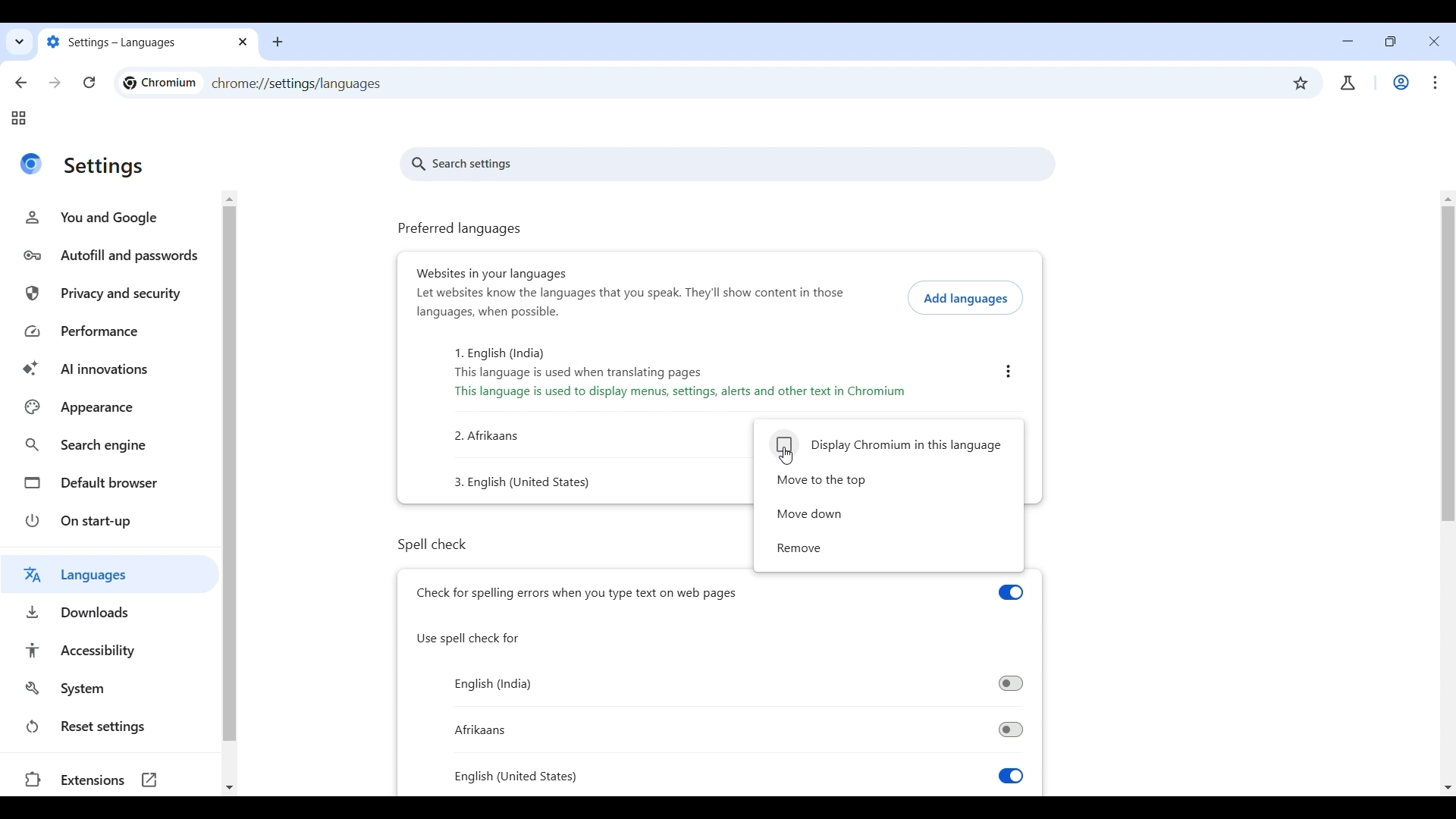 The height and width of the screenshot is (819, 1456). Describe the element at coordinates (488, 437) in the screenshot. I see `numbered list: text` at that location.